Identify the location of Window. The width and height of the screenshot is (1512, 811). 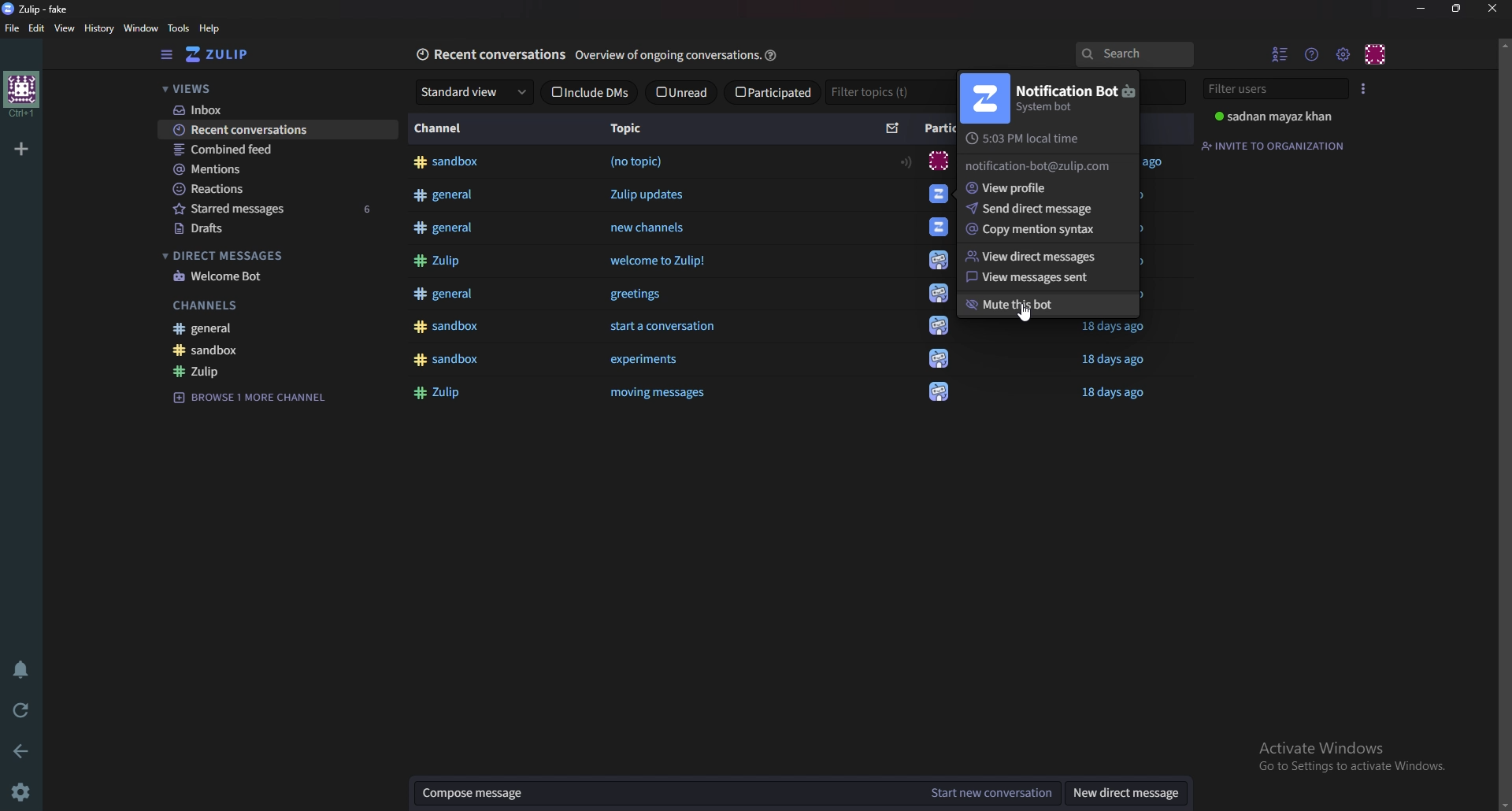
(143, 28).